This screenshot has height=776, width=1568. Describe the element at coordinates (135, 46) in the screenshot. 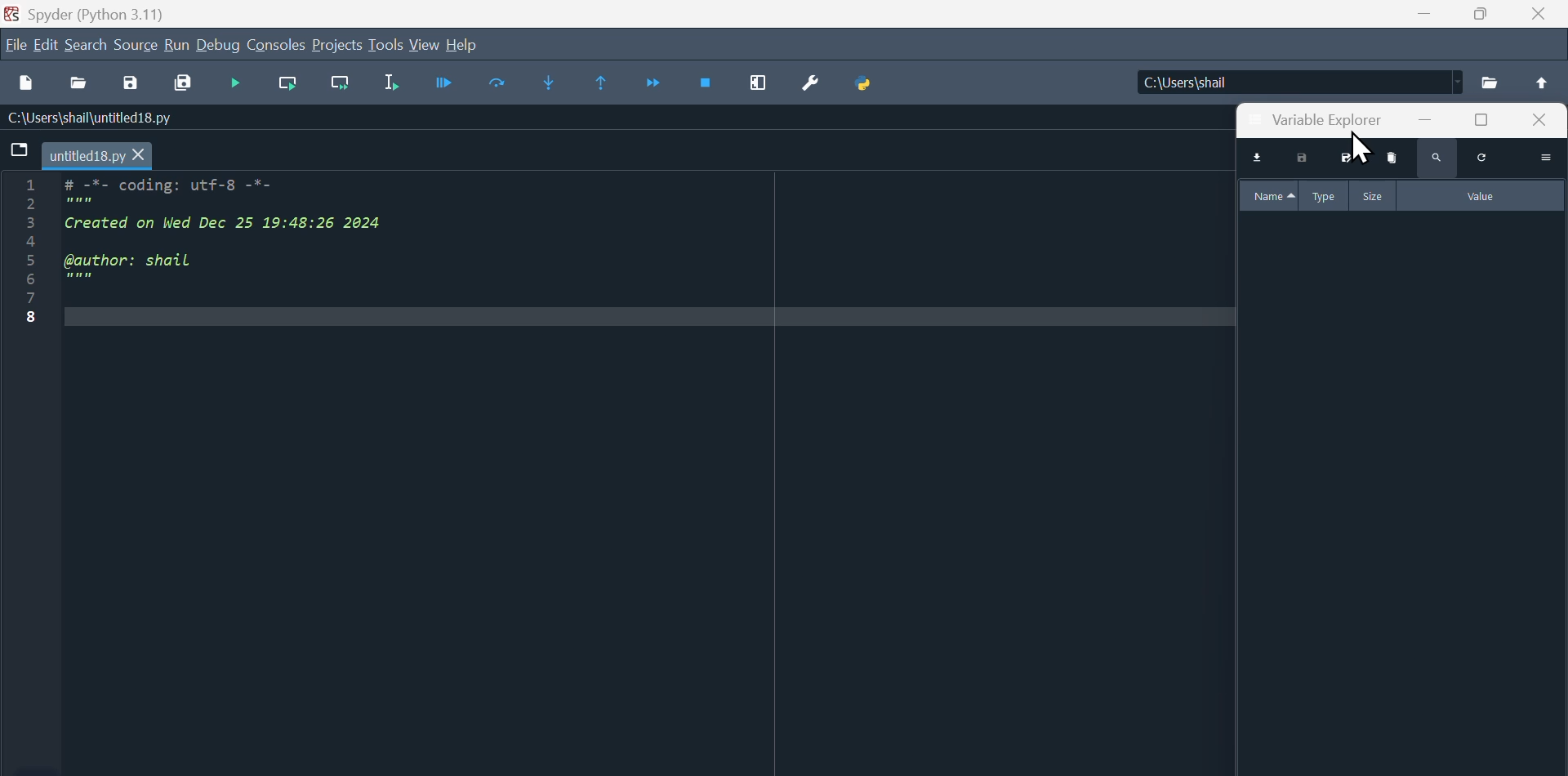

I see `source` at that location.